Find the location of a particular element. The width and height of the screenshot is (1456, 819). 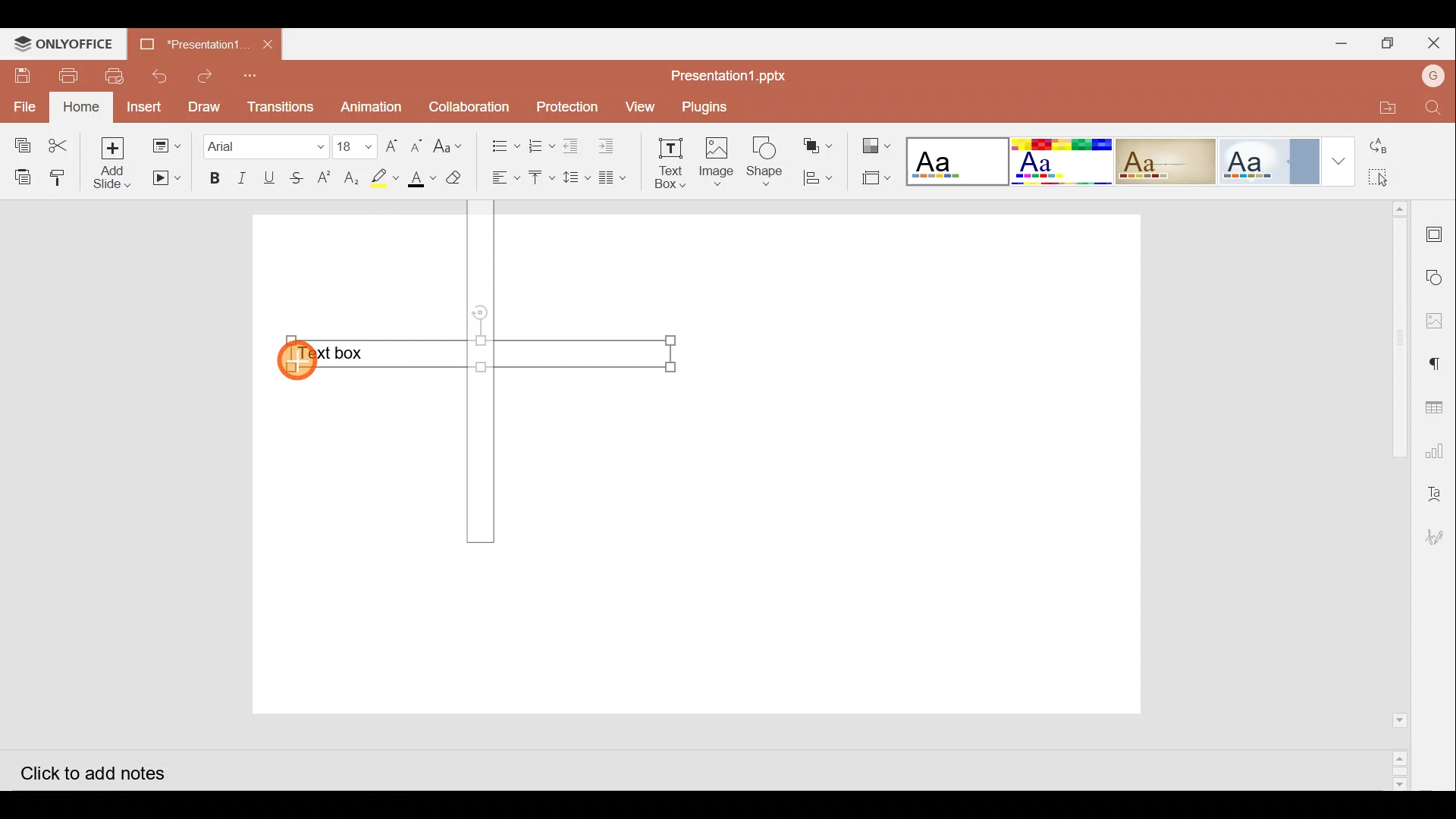

Classic is located at coordinates (1165, 158).